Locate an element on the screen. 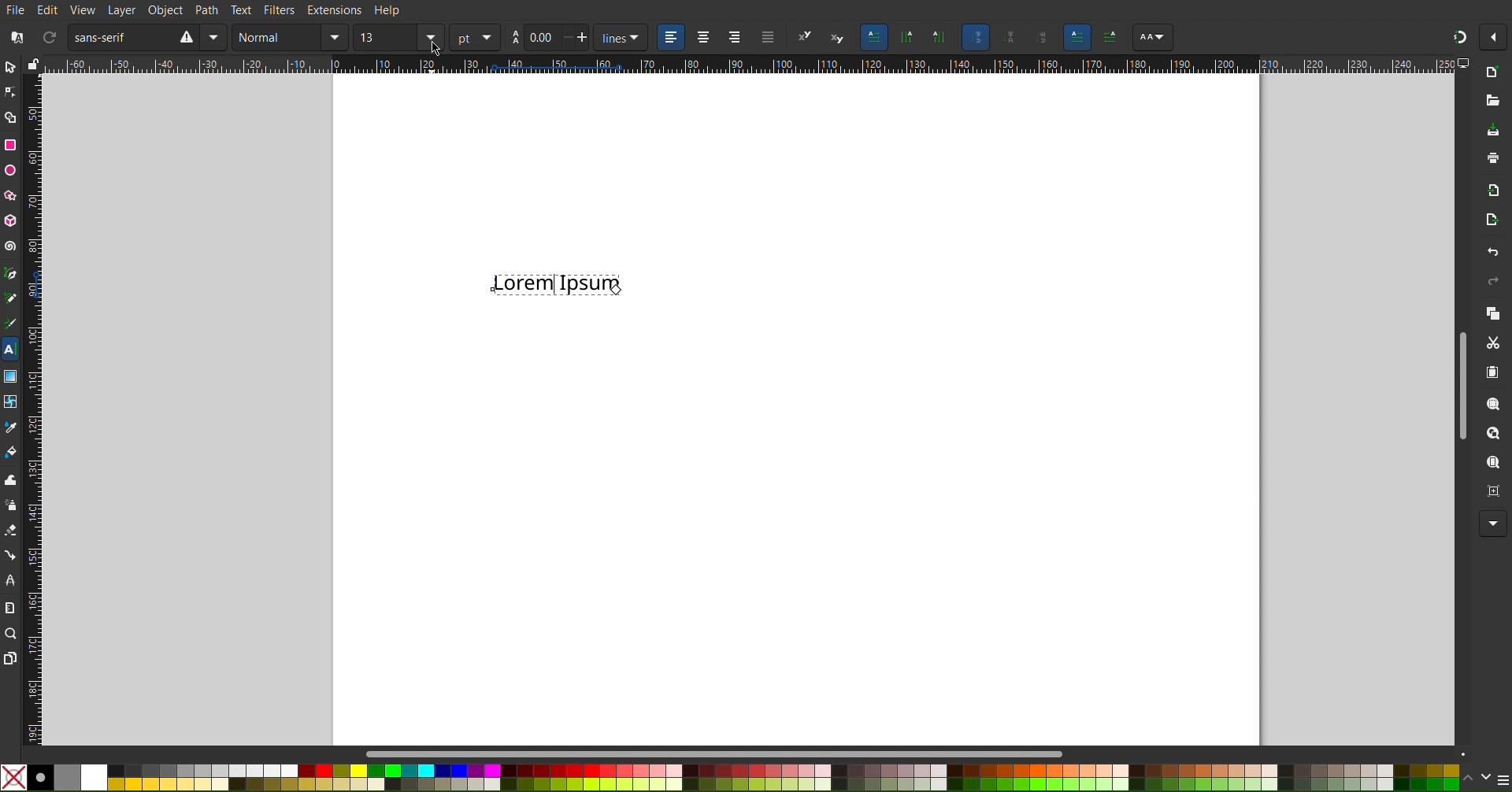 The image size is (1512, 792). Zoom Center Page is located at coordinates (1490, 489).